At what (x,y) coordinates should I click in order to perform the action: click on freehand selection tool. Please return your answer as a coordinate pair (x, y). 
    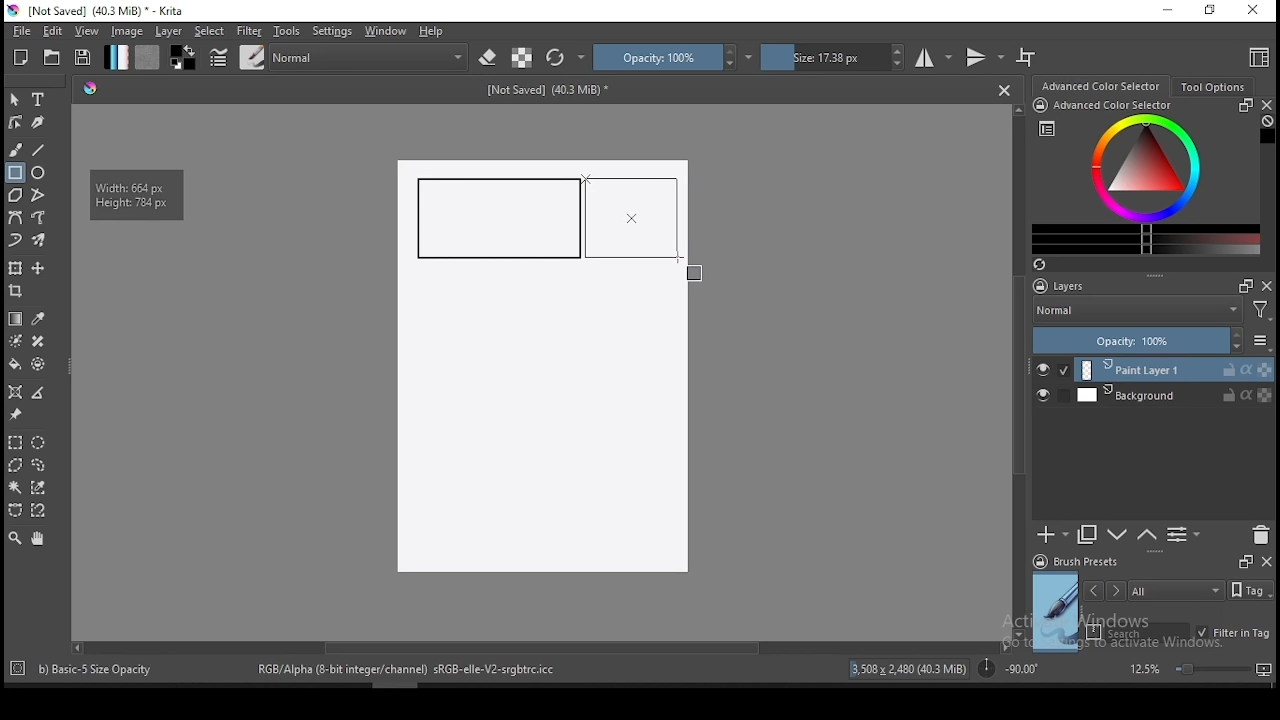
    Looking at the image, I should click on (39, 465).